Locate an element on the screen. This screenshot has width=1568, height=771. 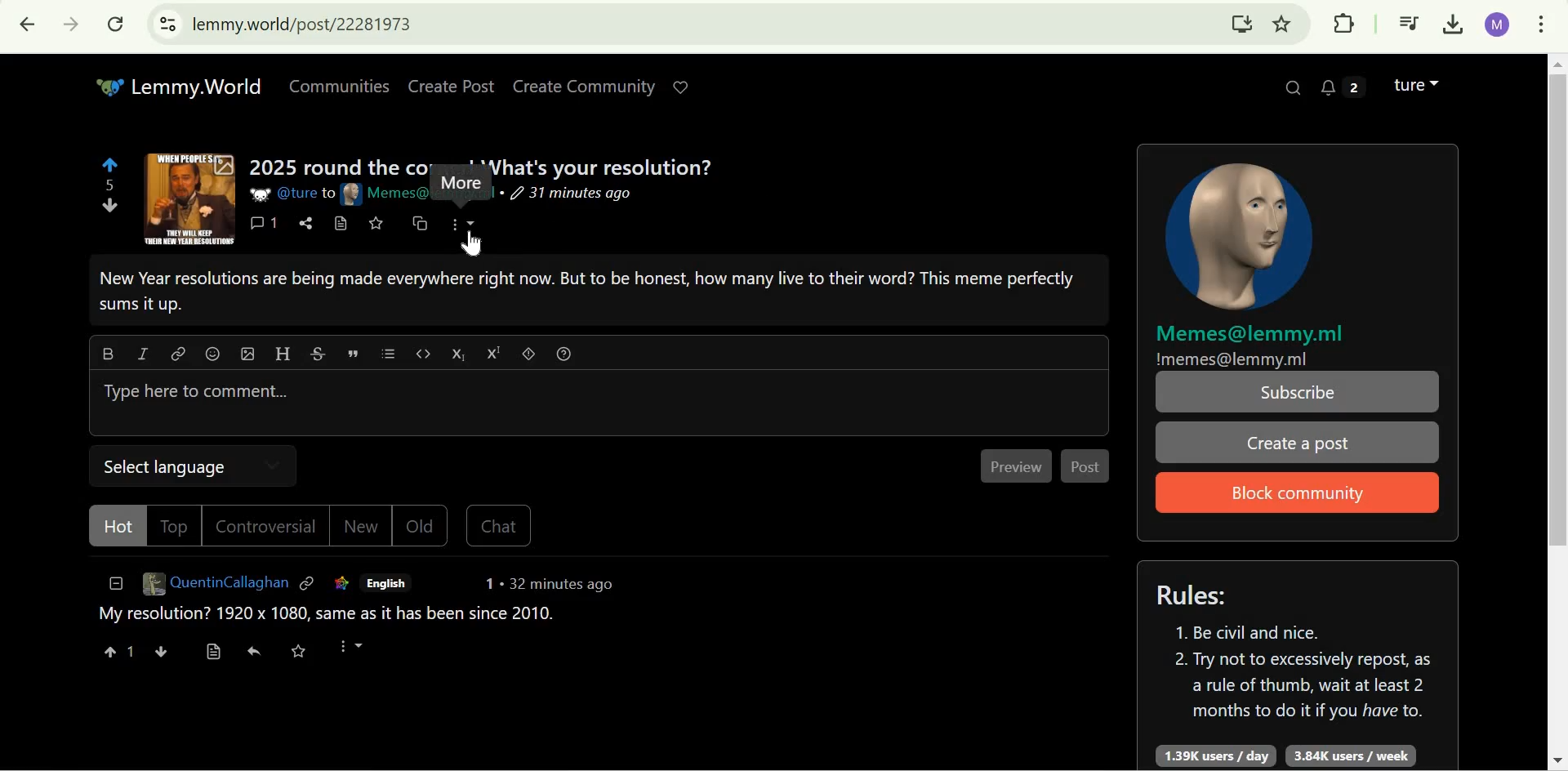
downvote is located at coordinates (162, 651).